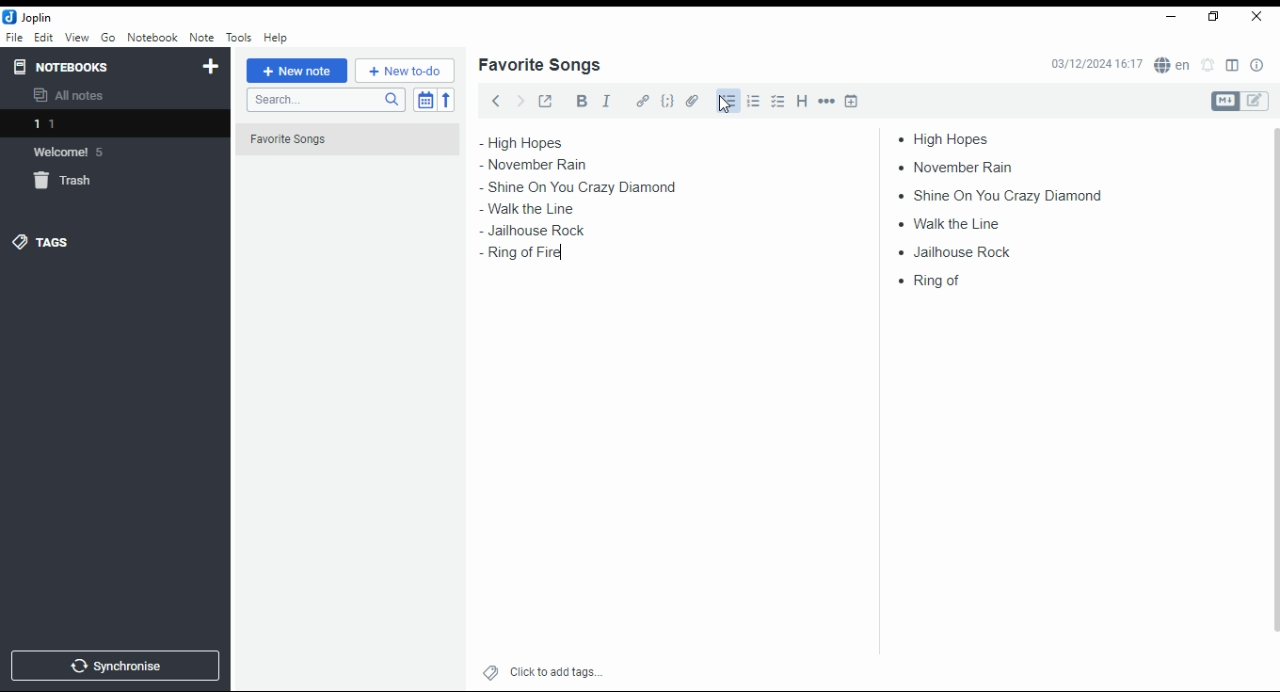 The image size is (1280, 692). Describe the element at coordinates (828, 100) in the screenshot. I see `horizontal rule` at that location.